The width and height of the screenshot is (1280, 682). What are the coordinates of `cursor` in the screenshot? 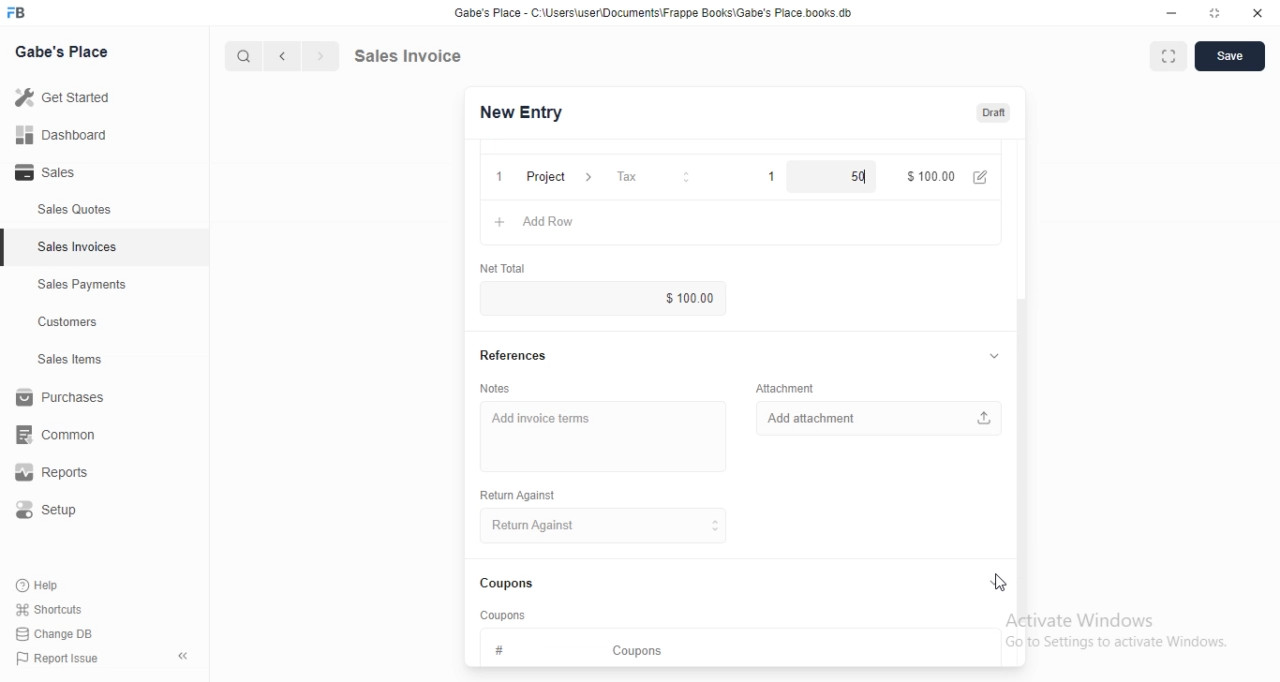 It's located at (234, 56).